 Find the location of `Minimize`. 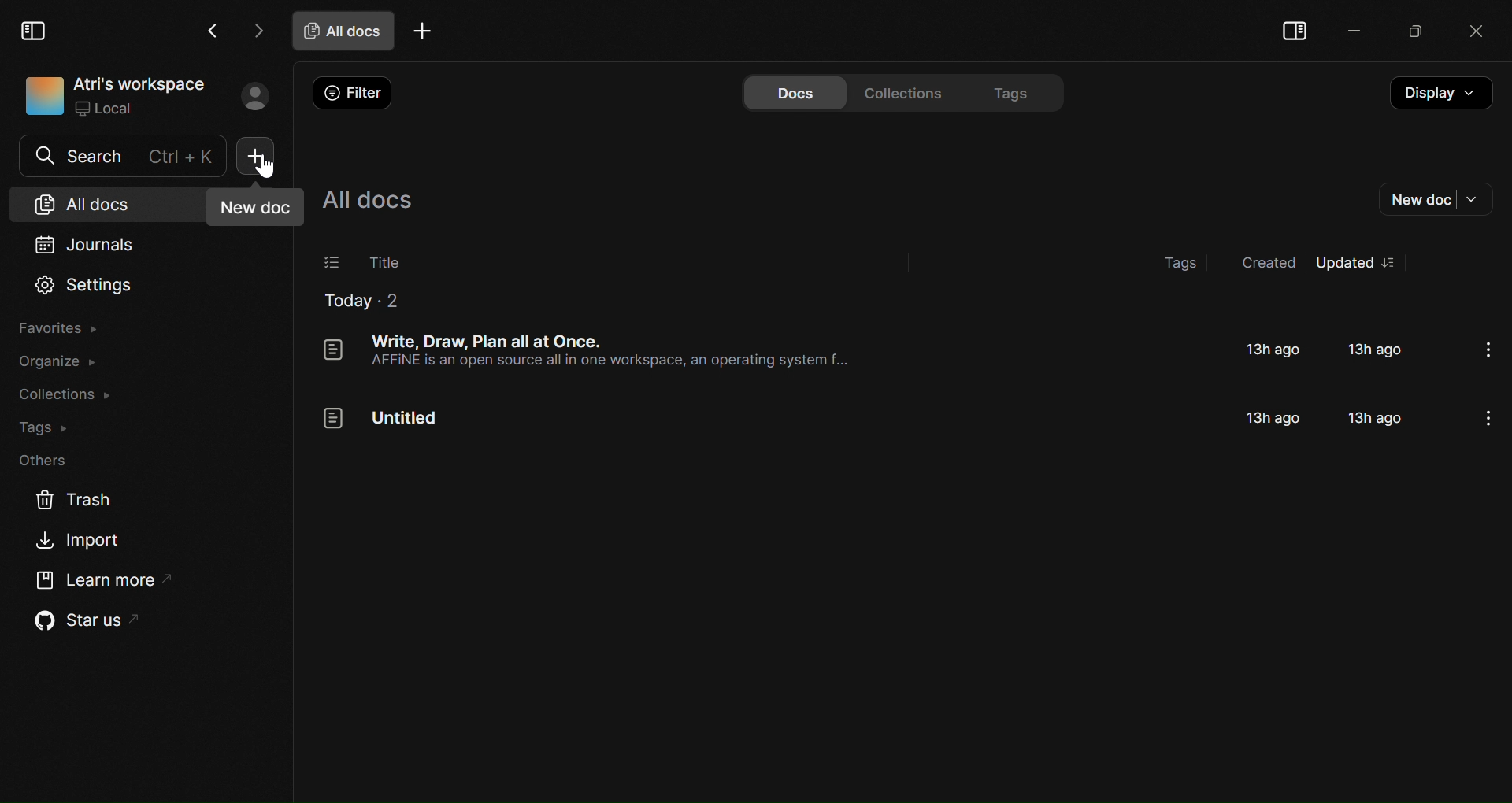

Minimize is located at coordinates (1348, 31).